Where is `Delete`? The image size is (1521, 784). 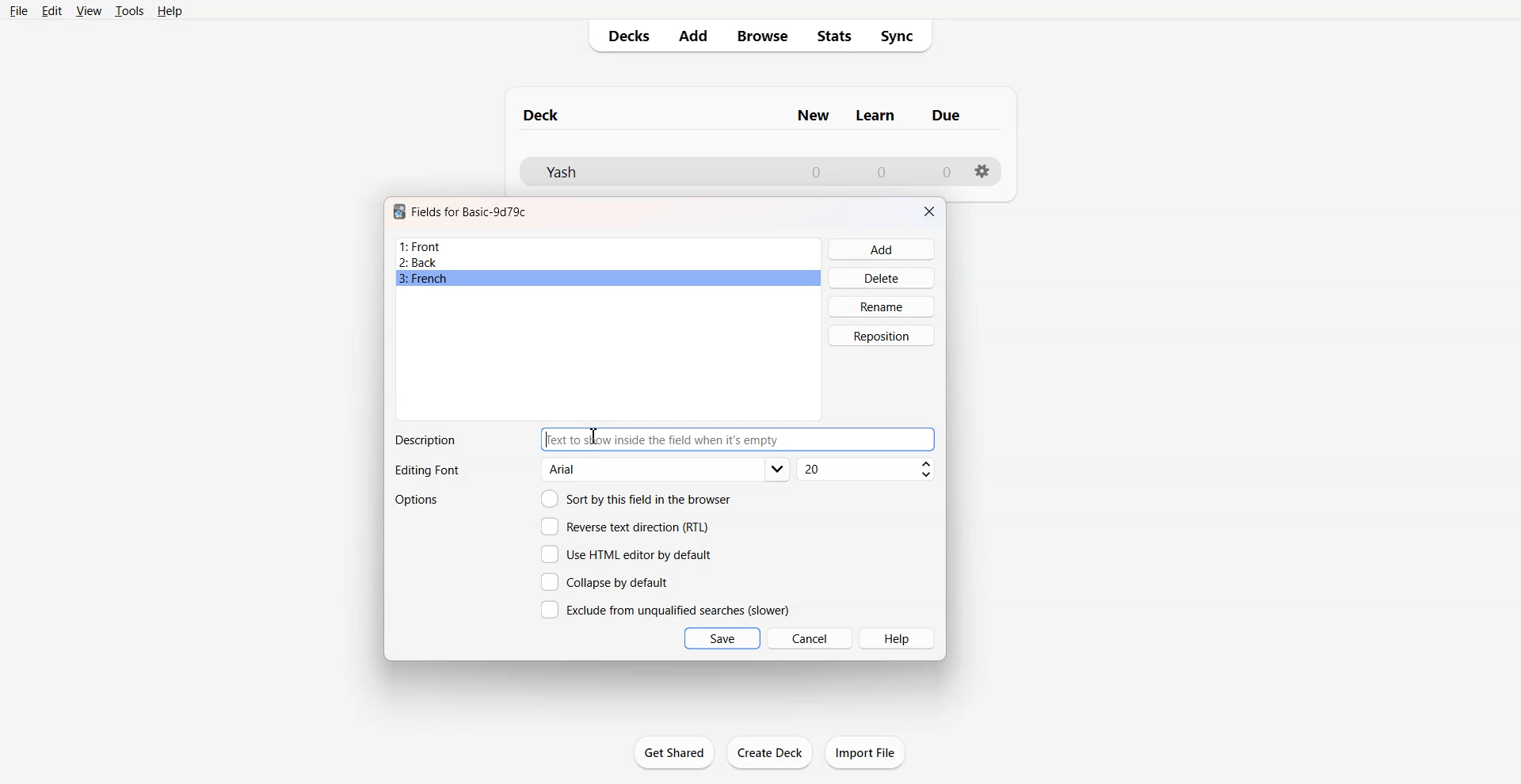
Delete is located at coordinates (882, 277).